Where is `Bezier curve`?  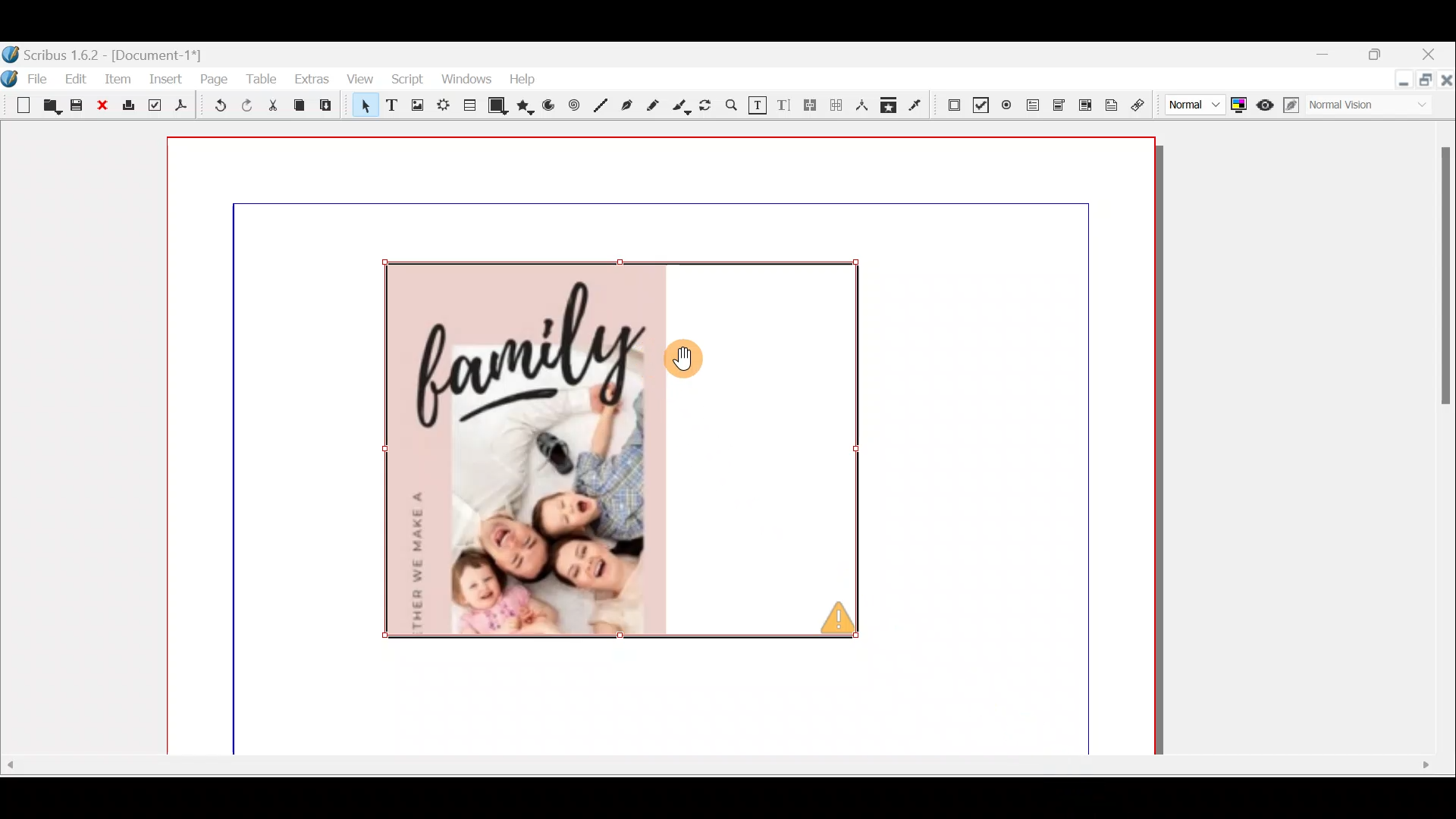
Bezier curve is located at coordinates (629, 107).